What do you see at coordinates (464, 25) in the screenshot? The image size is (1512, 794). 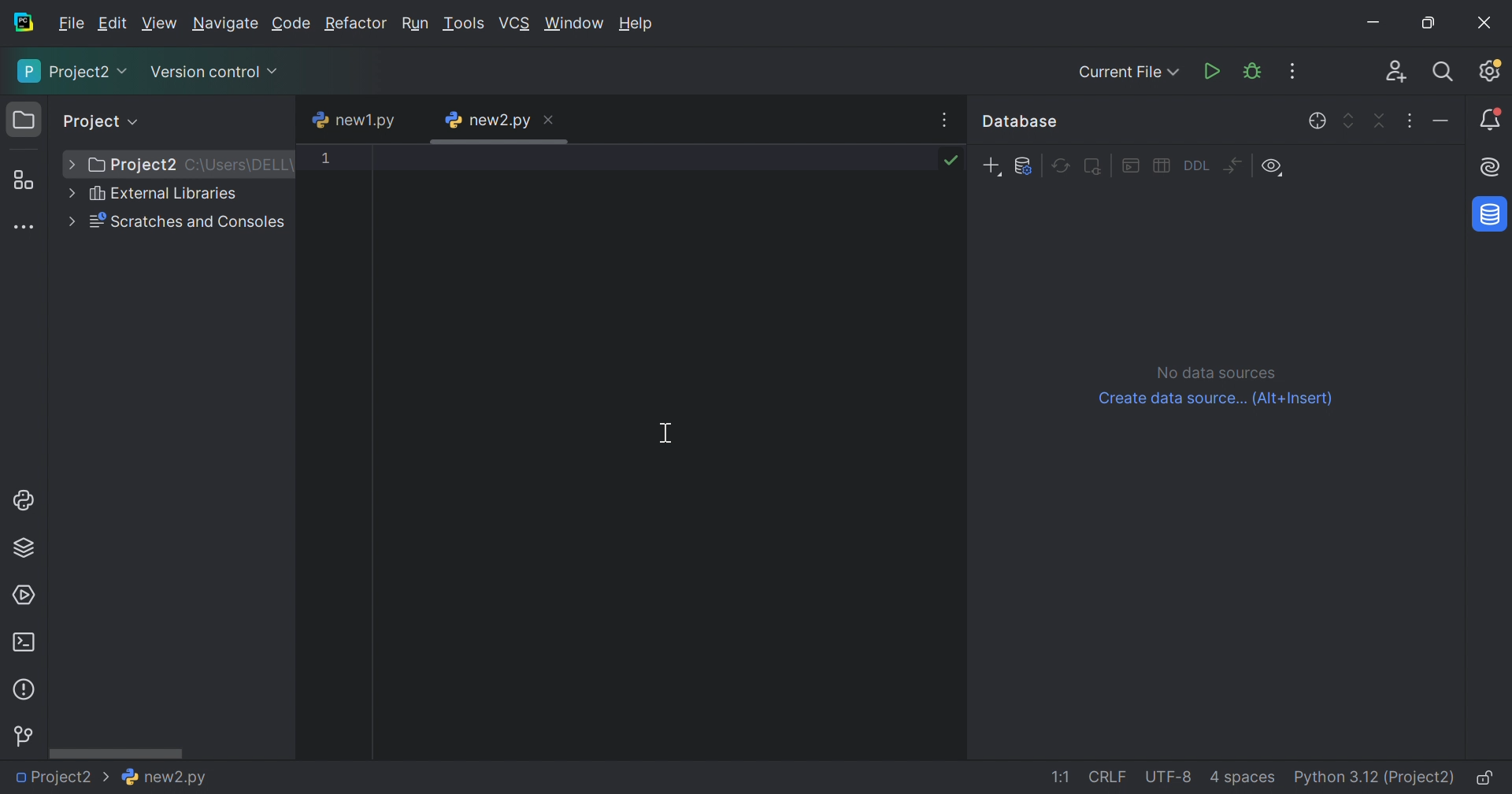 I see `Tools` at bounding box center [464, 25].